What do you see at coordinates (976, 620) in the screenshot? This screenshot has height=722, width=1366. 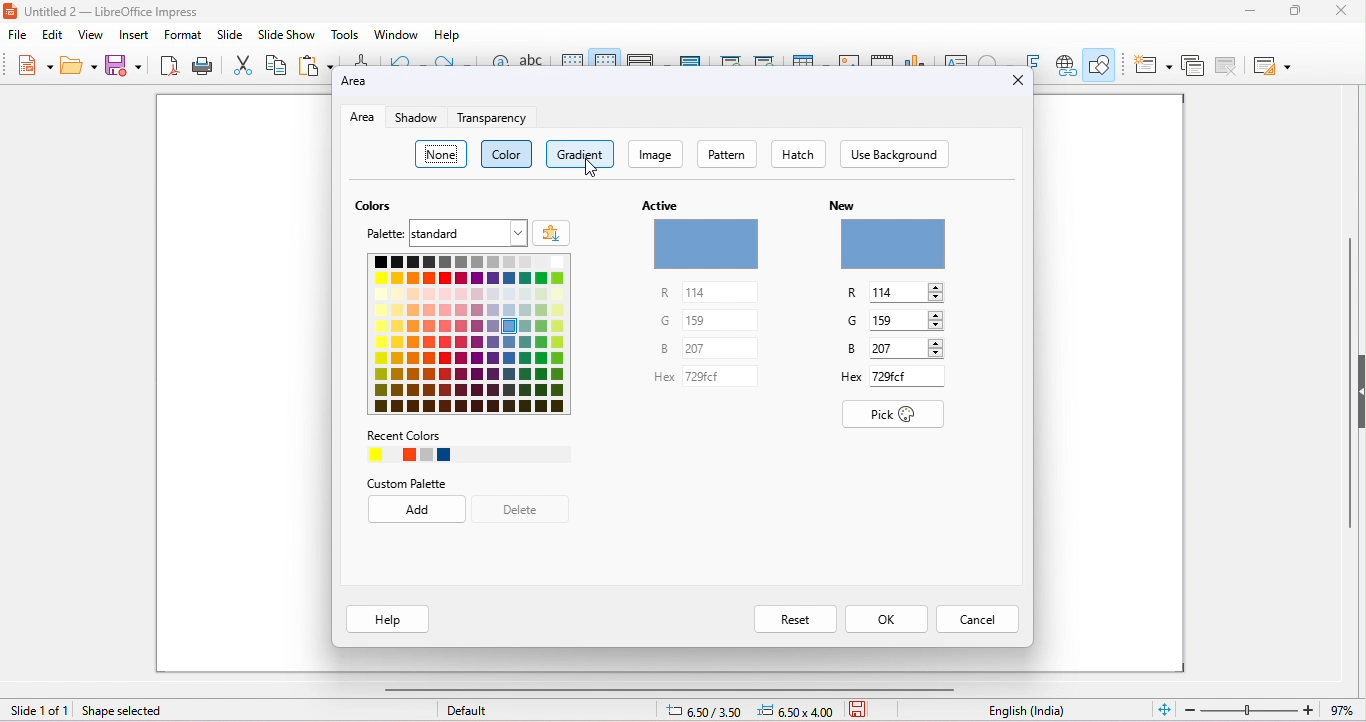 I see `cancel` at bounding box center [976, 620].